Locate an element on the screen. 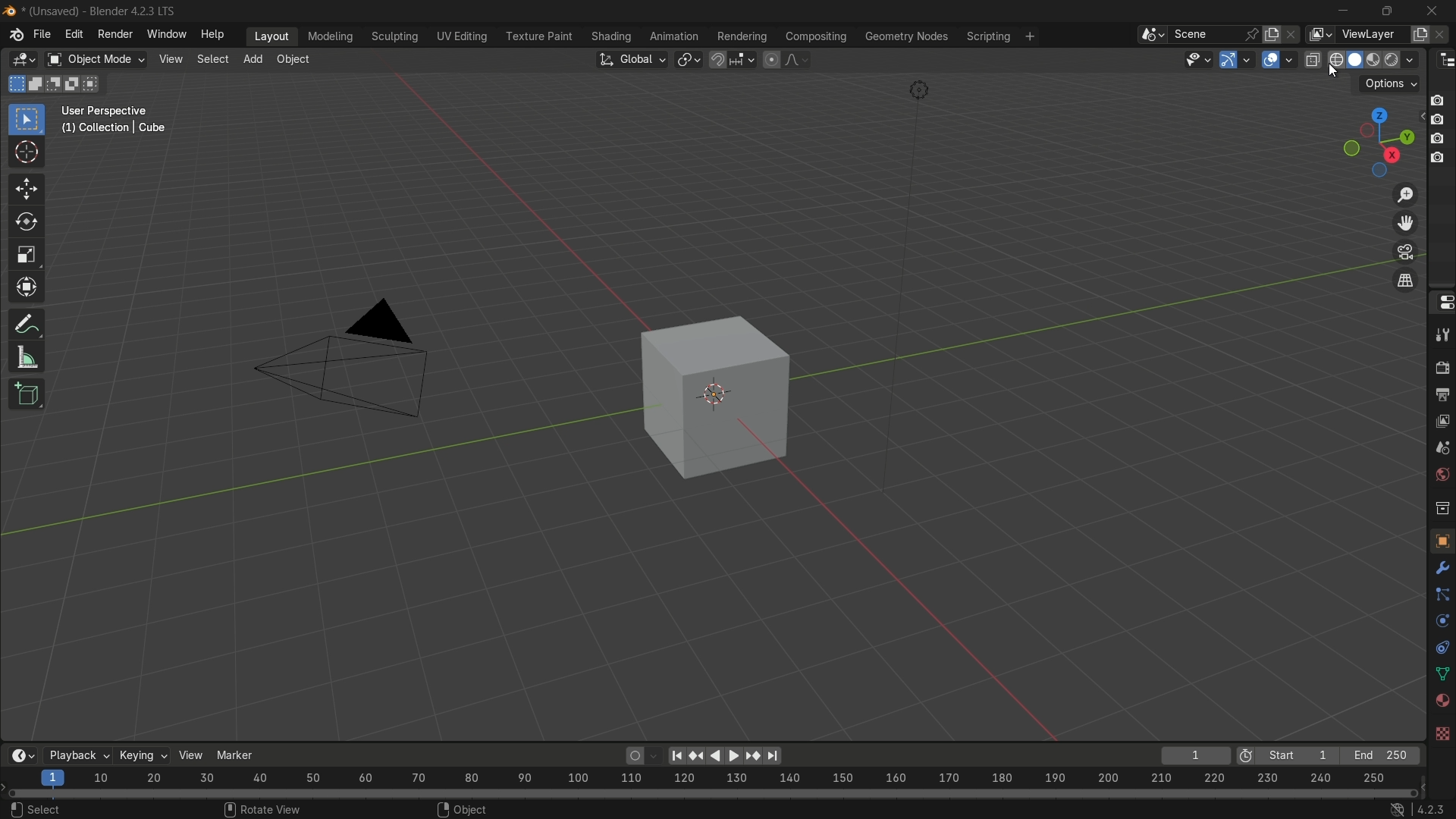 The image size is (1456, 819). wireframe display is located at coordinates (1337, 58).